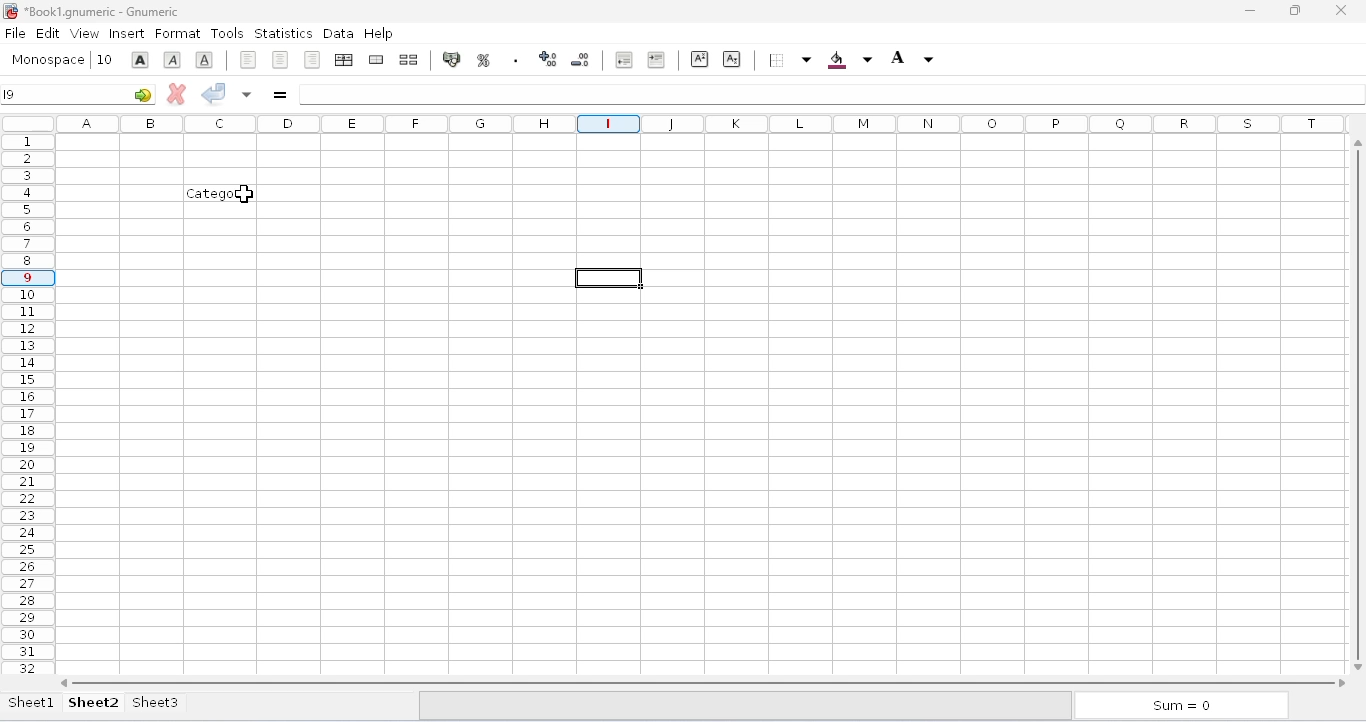  What do you see at coordinates (104, 59) in the screenshot?
I see `font size` at bounding box center [104, 59].